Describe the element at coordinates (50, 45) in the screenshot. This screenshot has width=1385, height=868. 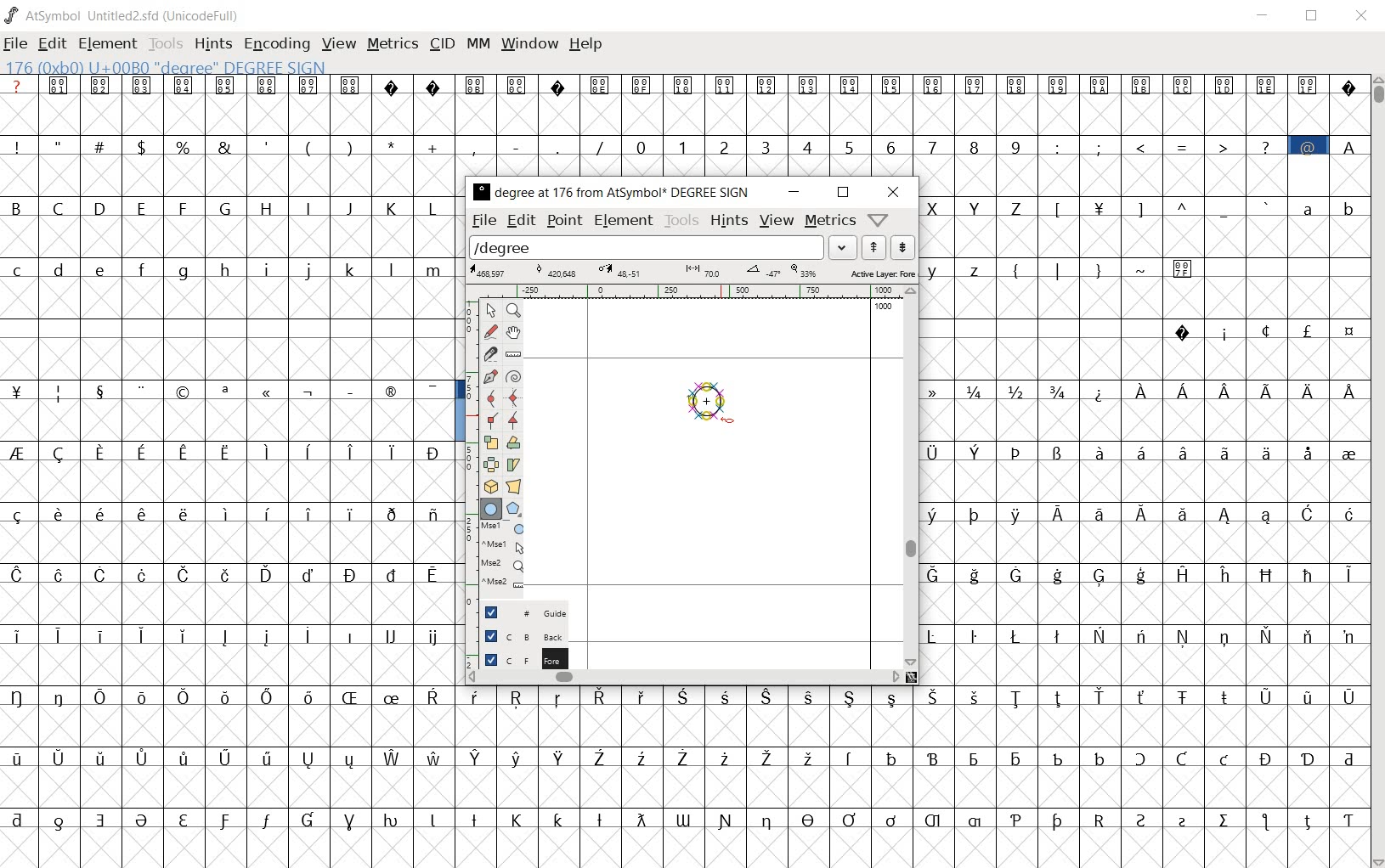
I see `edit` at that location.